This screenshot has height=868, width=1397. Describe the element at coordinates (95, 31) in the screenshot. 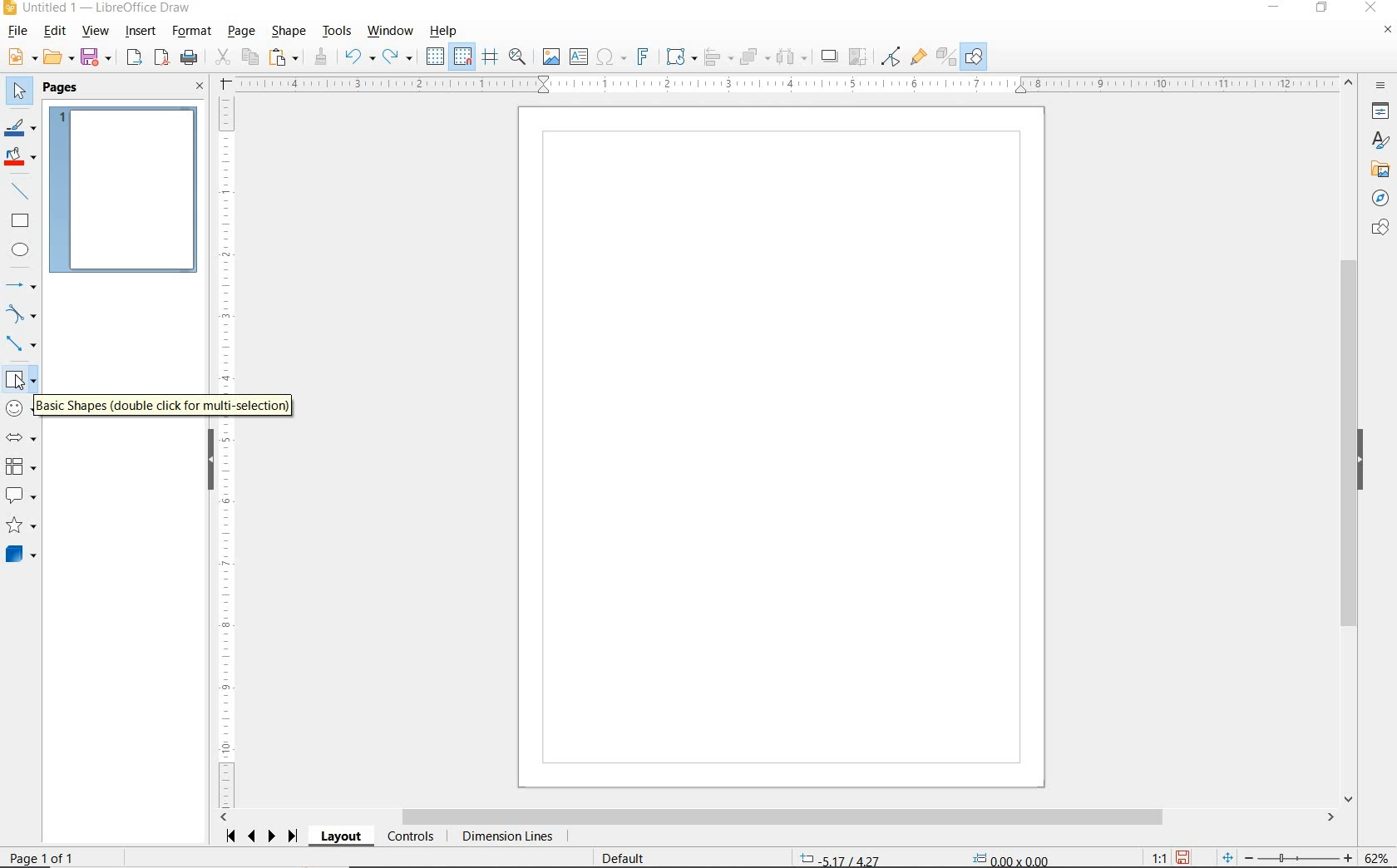

I see `VIEW` at that location.